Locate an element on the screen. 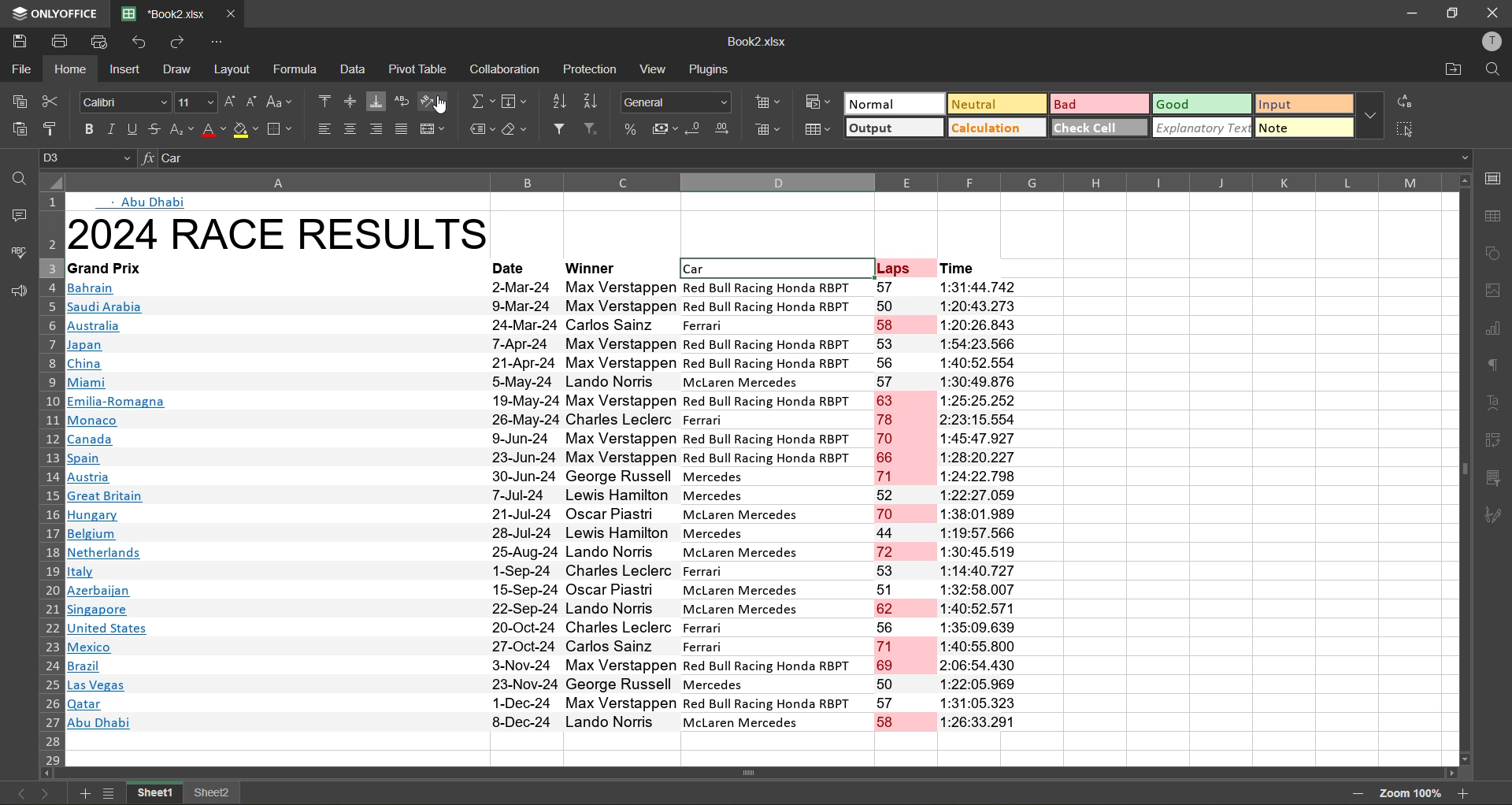 The image size is (1512, 805). redo is located at coordinates (178, 43).